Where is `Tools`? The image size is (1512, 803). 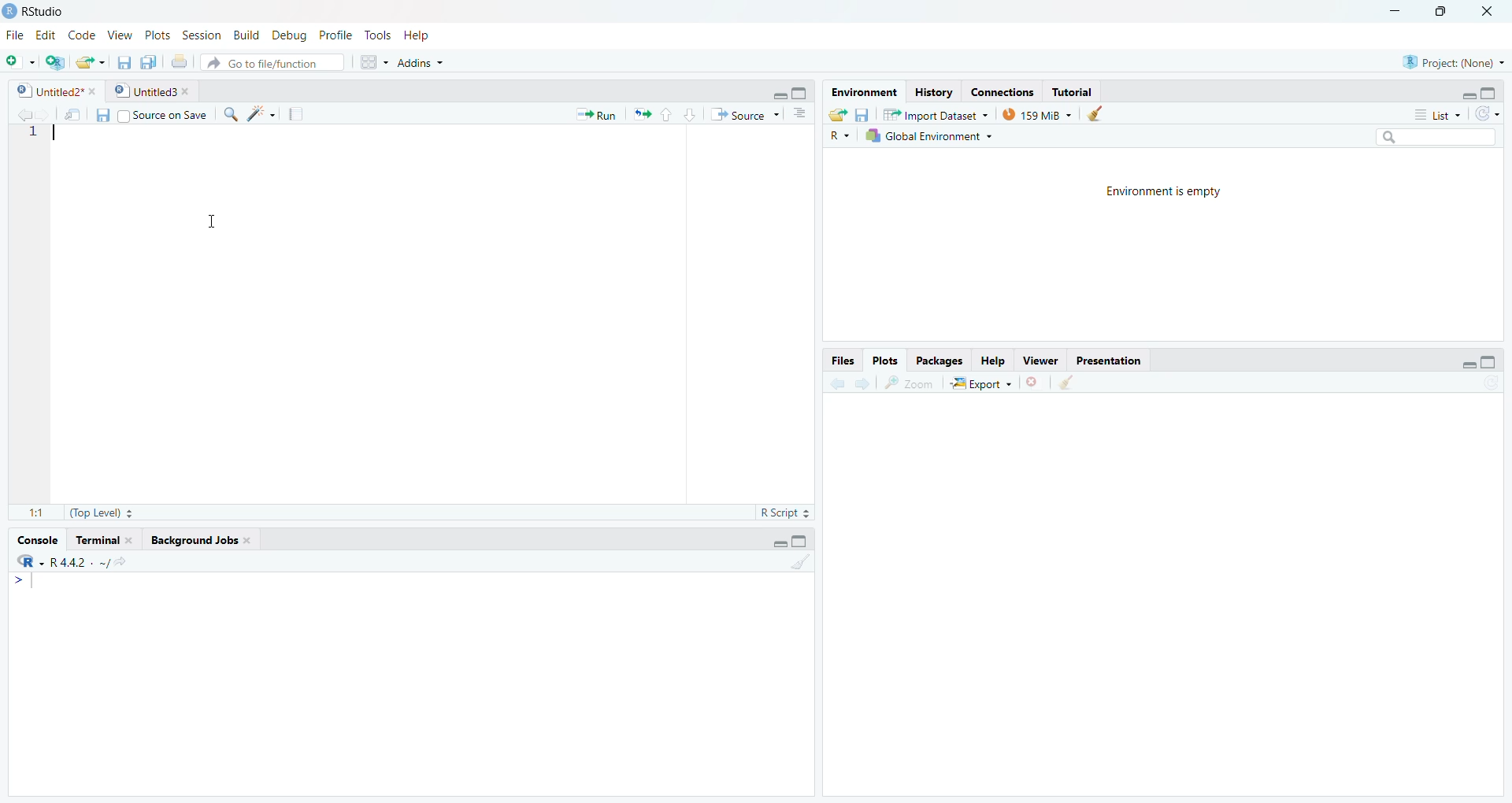 Tools is located at coordinates (376, 33).